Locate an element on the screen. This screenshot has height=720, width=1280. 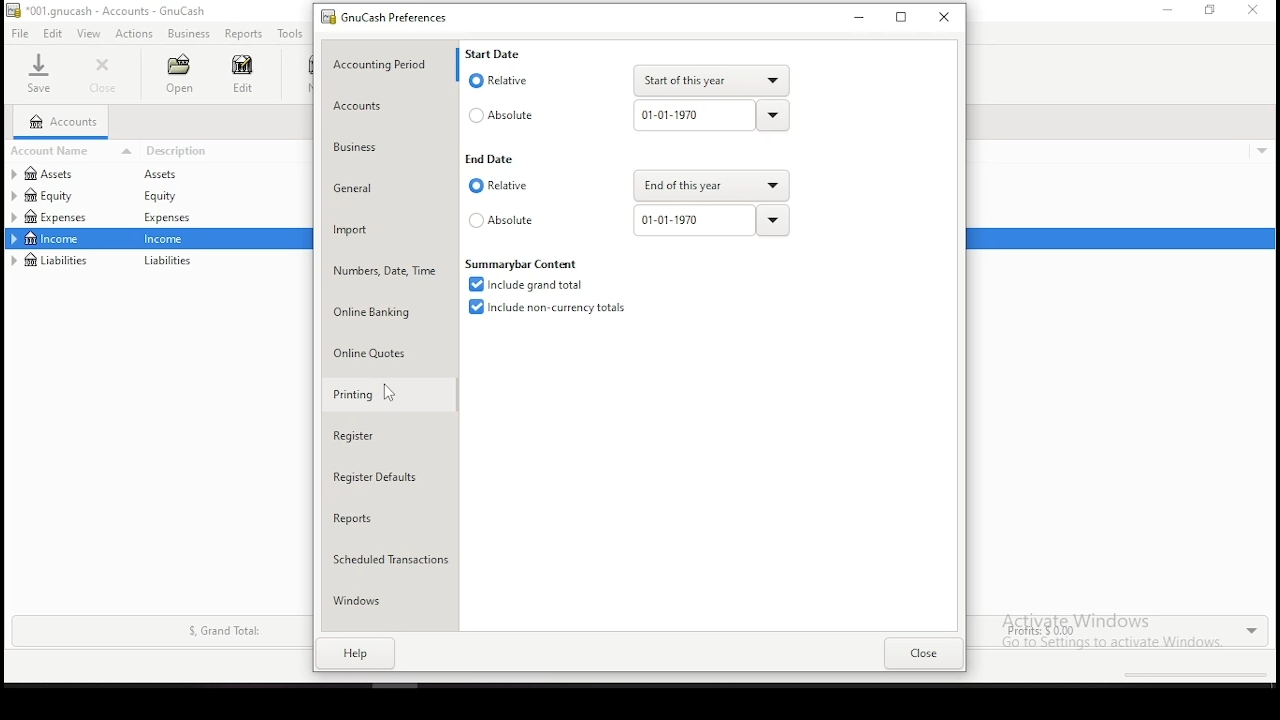
close window is located at coordinates (945, 18).